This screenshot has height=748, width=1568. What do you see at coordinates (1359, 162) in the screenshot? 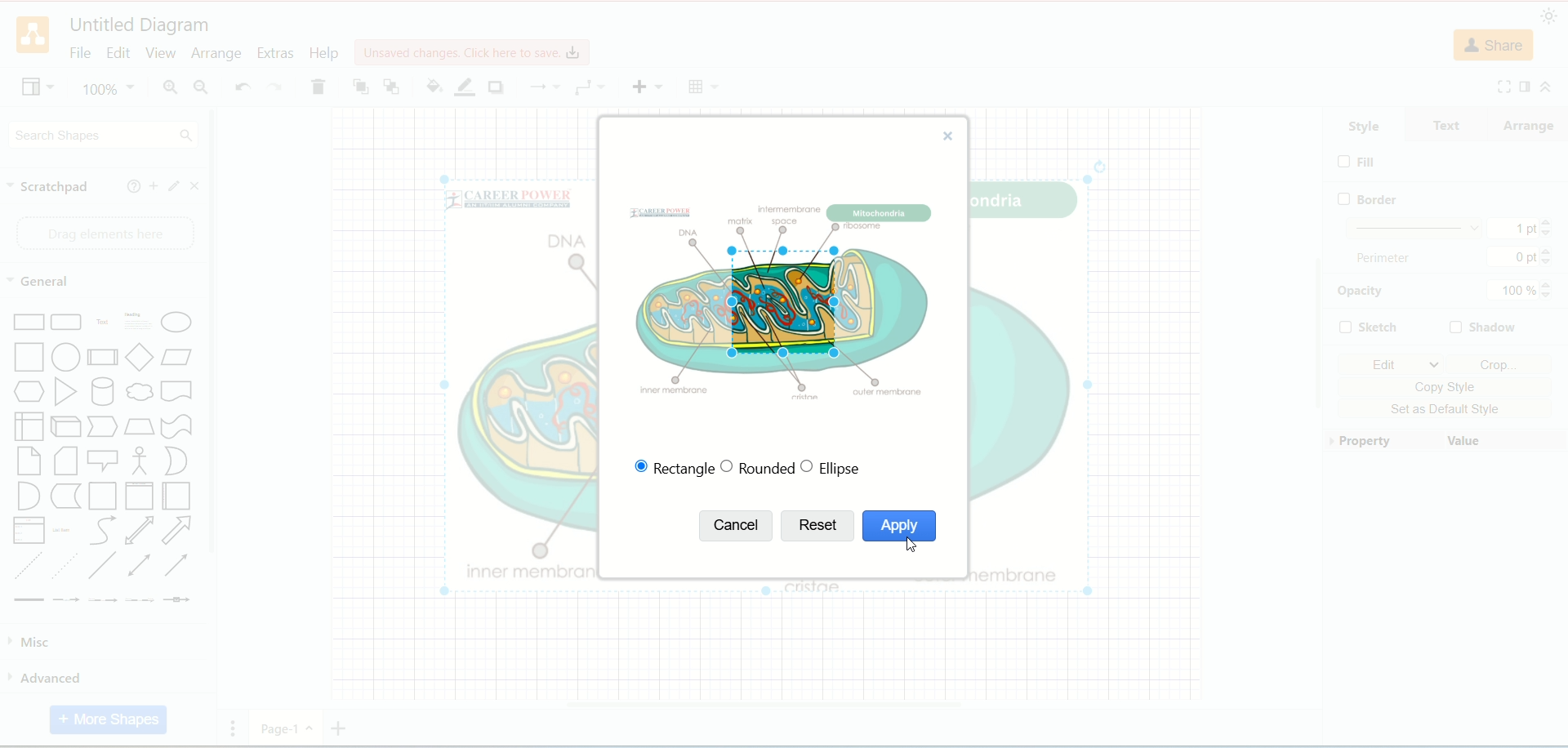
I see `fill` at bounding box center [1359, 162].